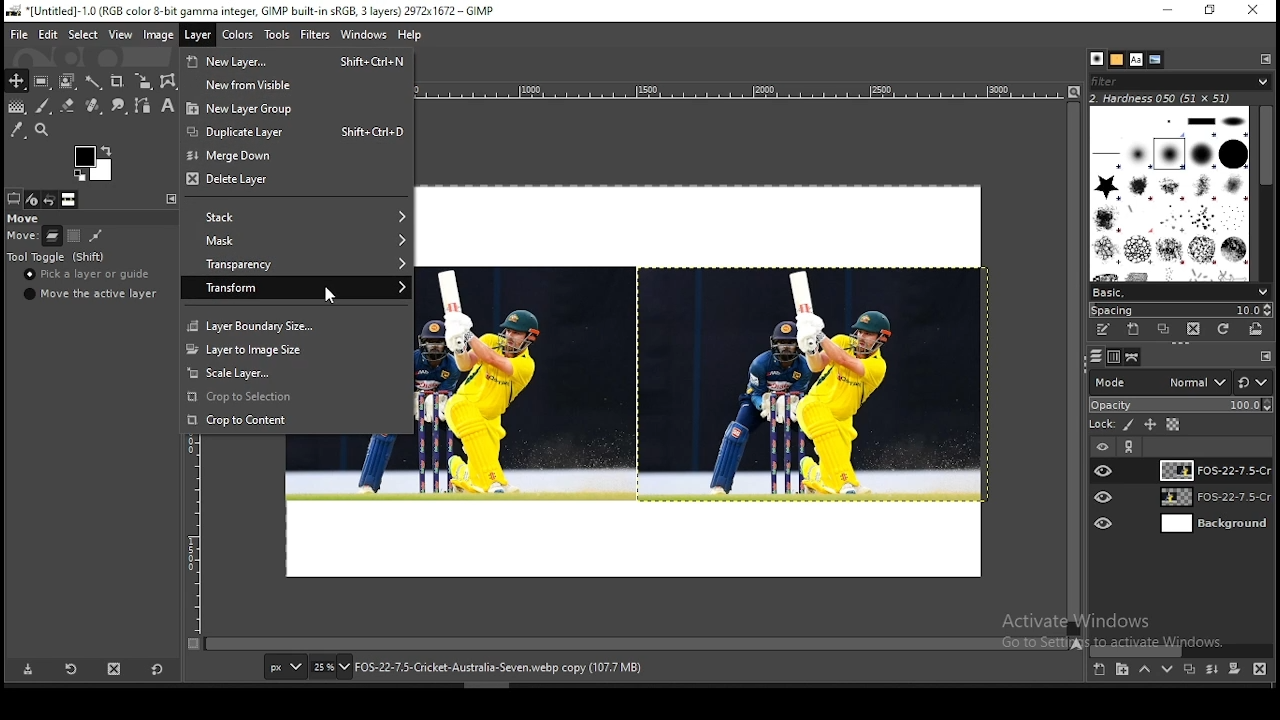  What do you see at coordinates (1267, 190) in the screenshot?
I see `Scroll bar` at bounding box center [1267, 190].